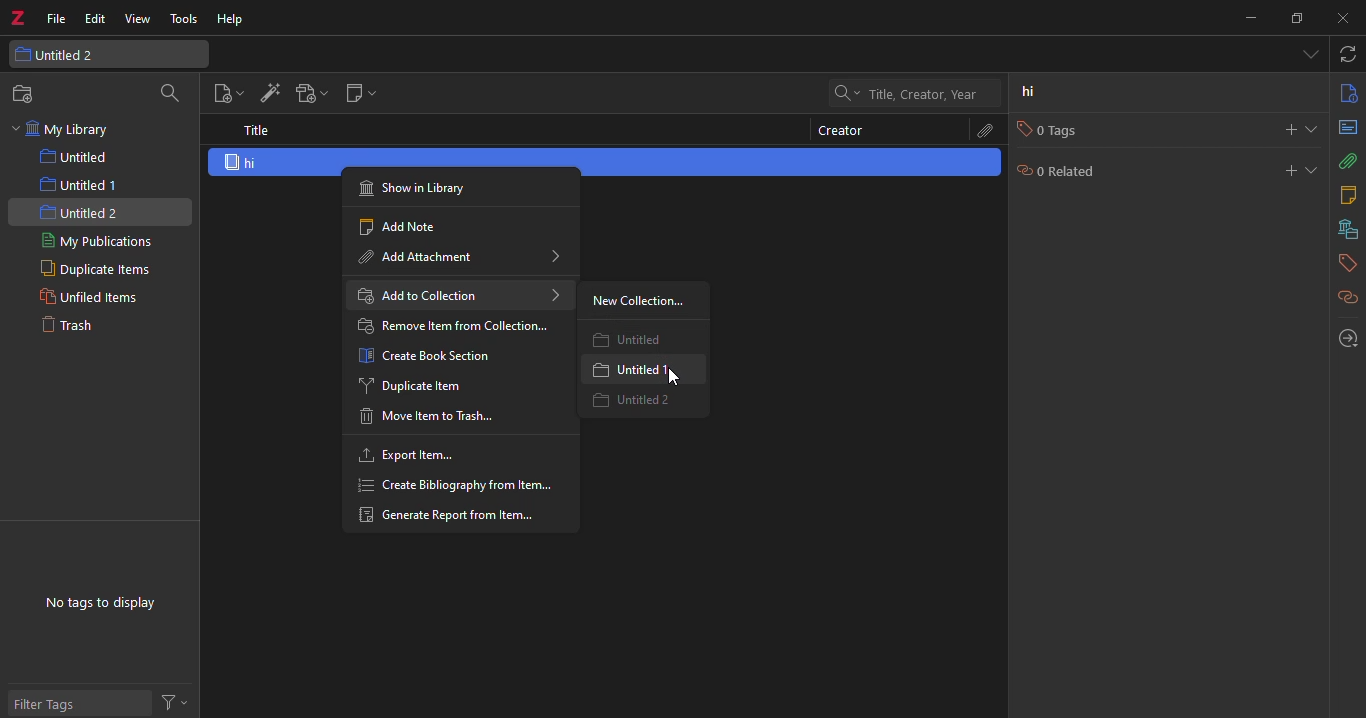  I want to click on untitled, so click(81, 157).